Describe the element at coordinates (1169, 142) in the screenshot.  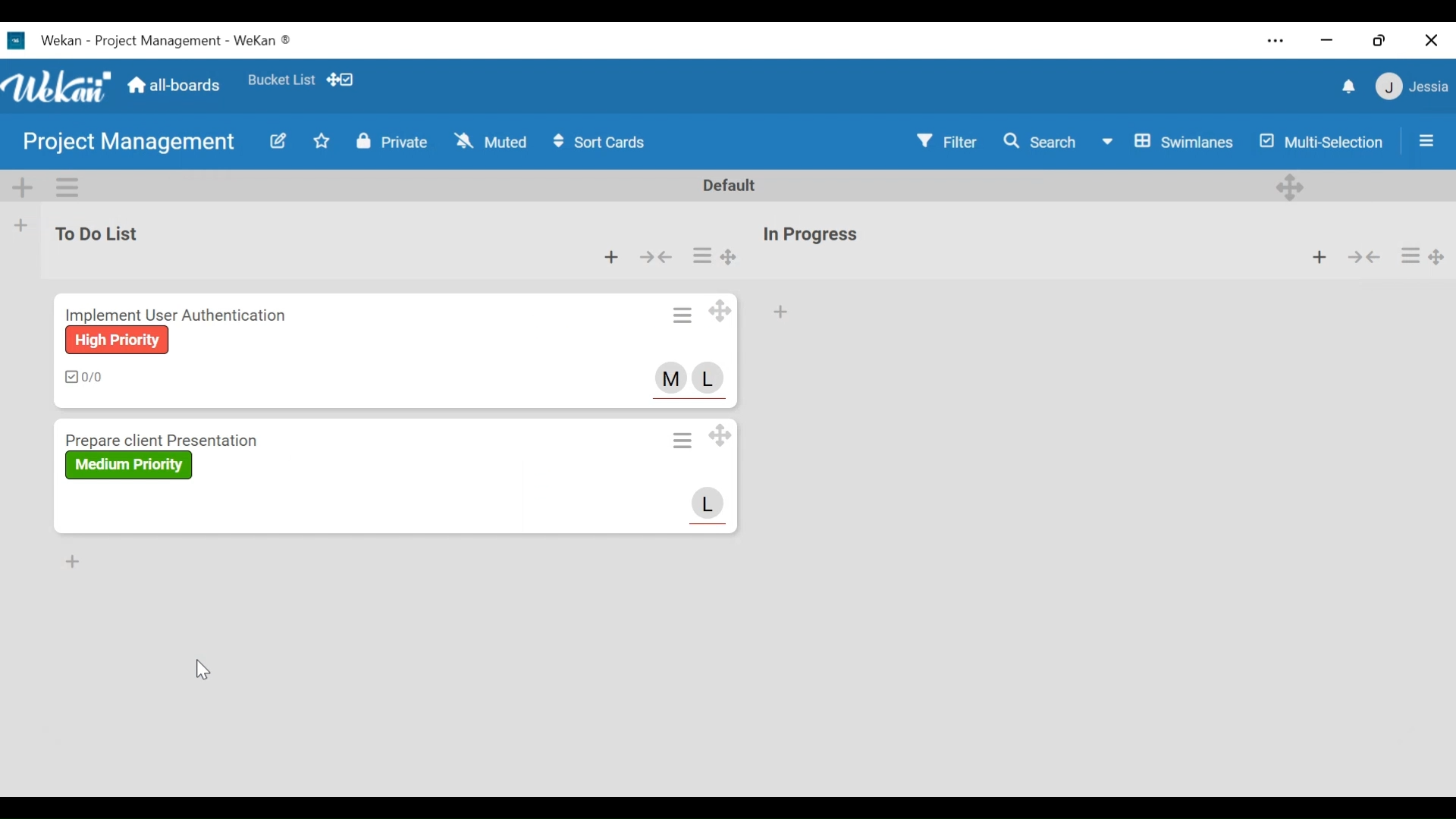
I see `Swimlanes` at that location.